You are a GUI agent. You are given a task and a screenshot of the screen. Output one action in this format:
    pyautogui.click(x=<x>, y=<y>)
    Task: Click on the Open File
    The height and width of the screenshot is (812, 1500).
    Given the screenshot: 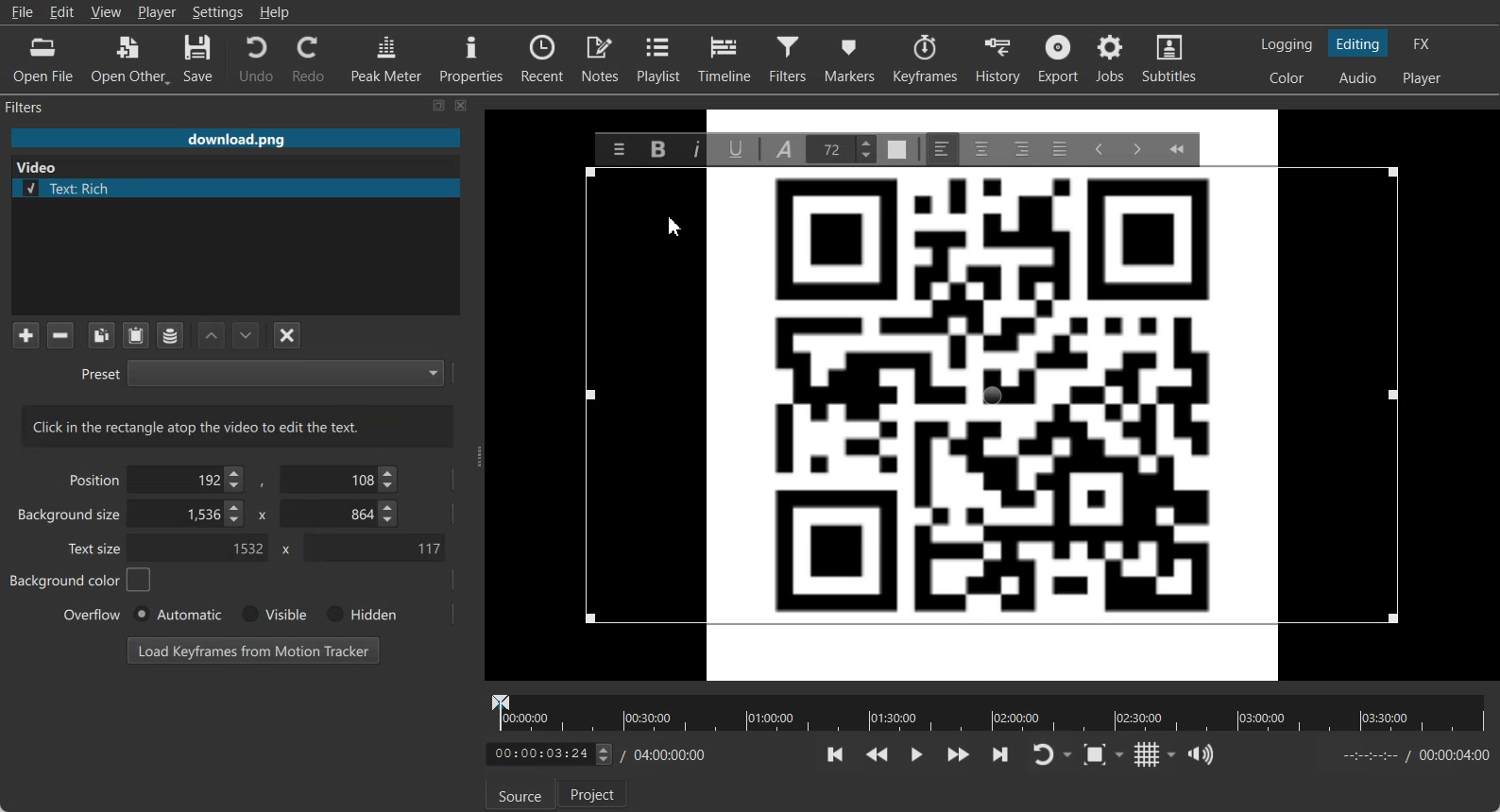 What is the action you would take?
    pyautogui.click(x=43, y=60)
    